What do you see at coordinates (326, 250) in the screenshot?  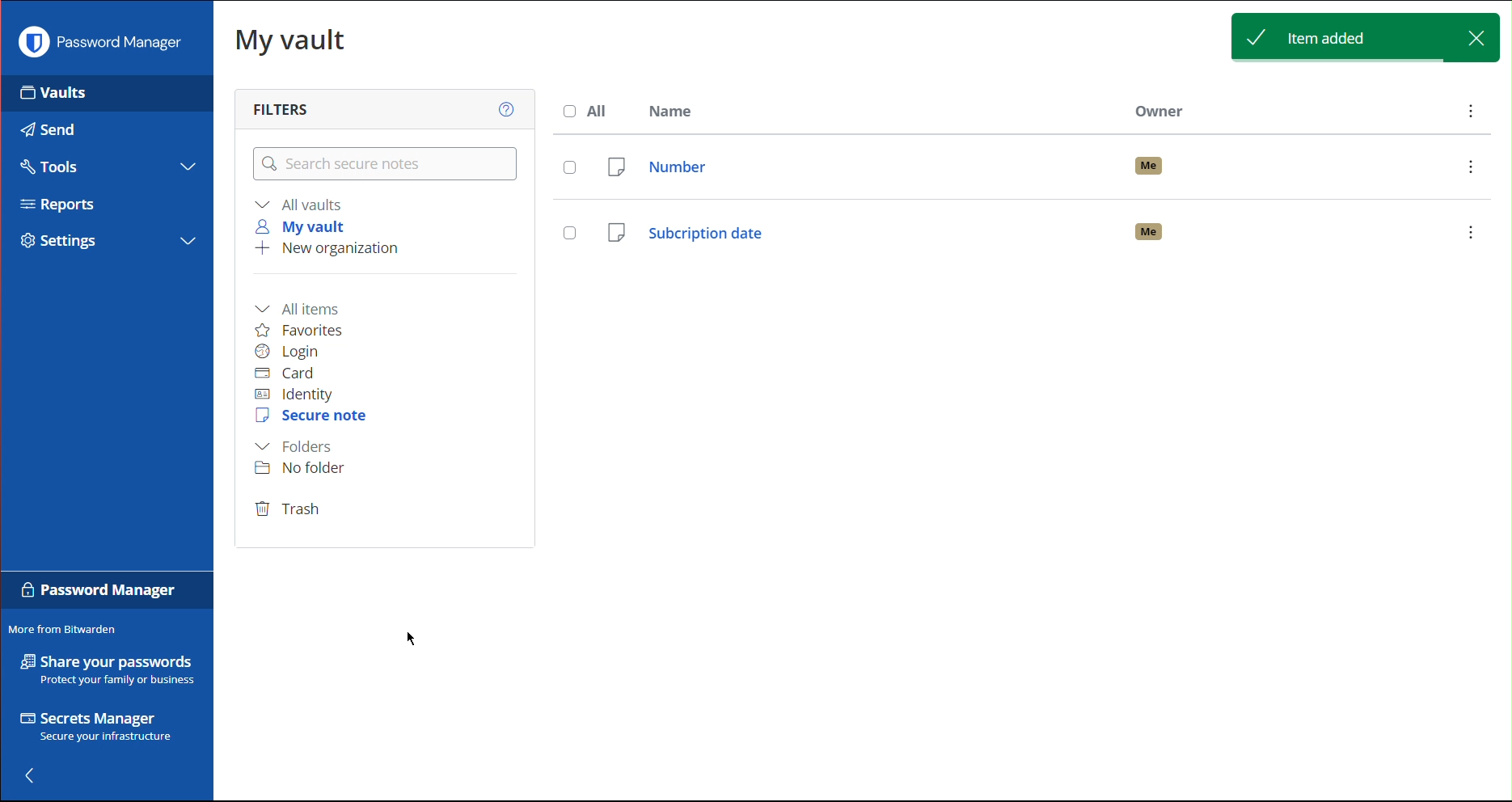 I see `New organization` at bounding box center [326, 250].